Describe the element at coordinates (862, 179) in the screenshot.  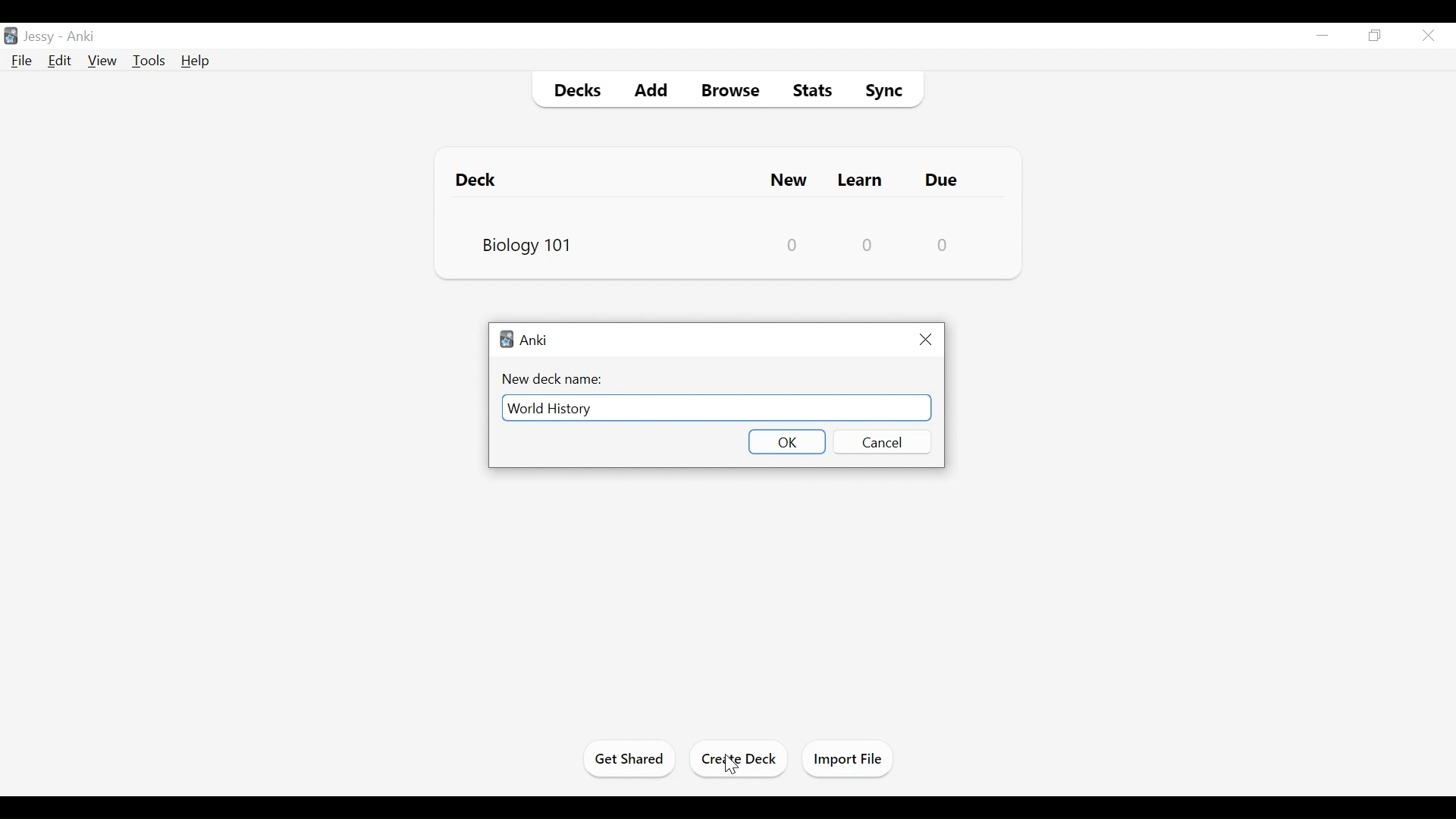
I see `Learn Cards` at that location.